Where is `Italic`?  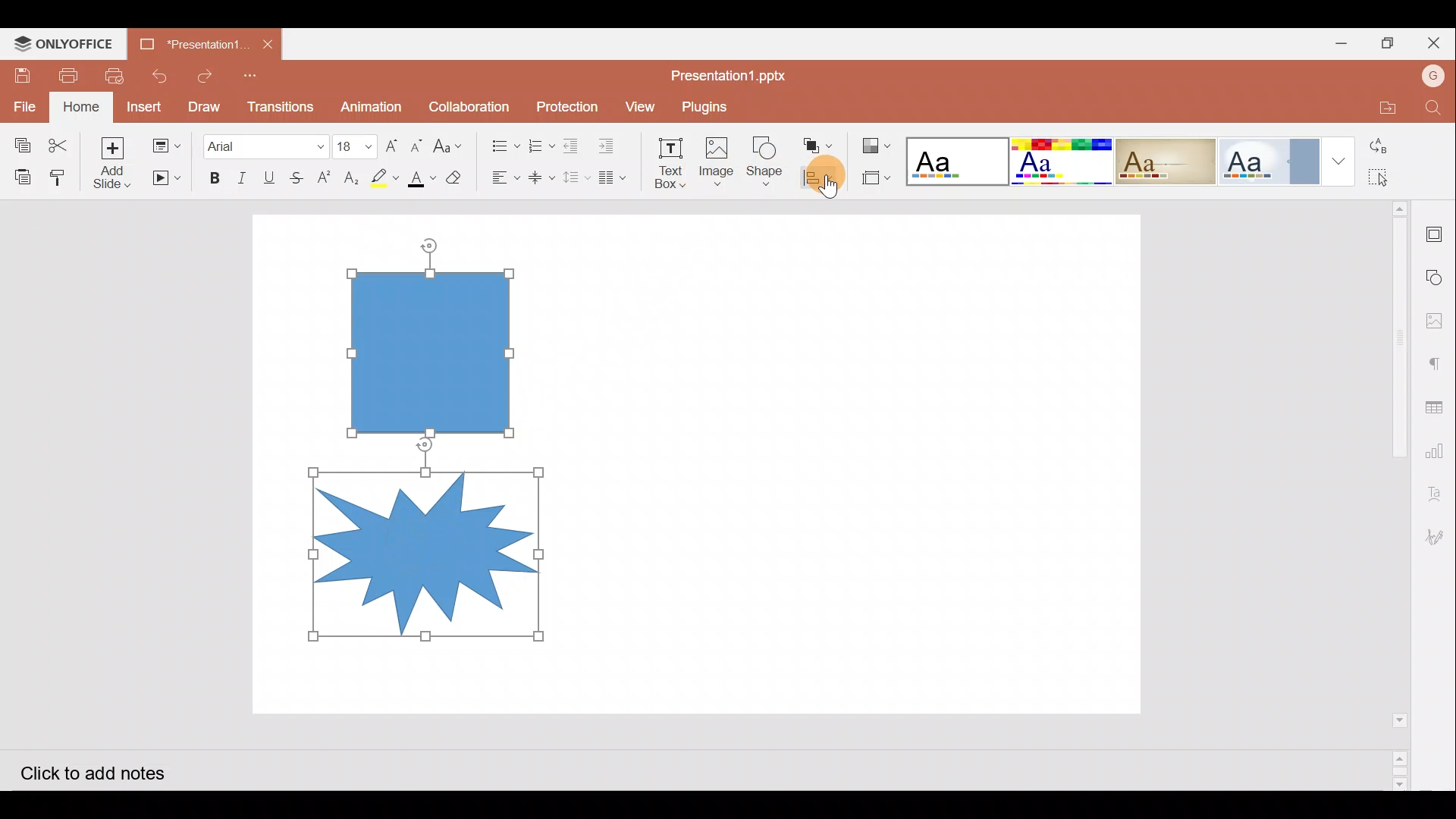 Italic is located at coordinates (242, 174).